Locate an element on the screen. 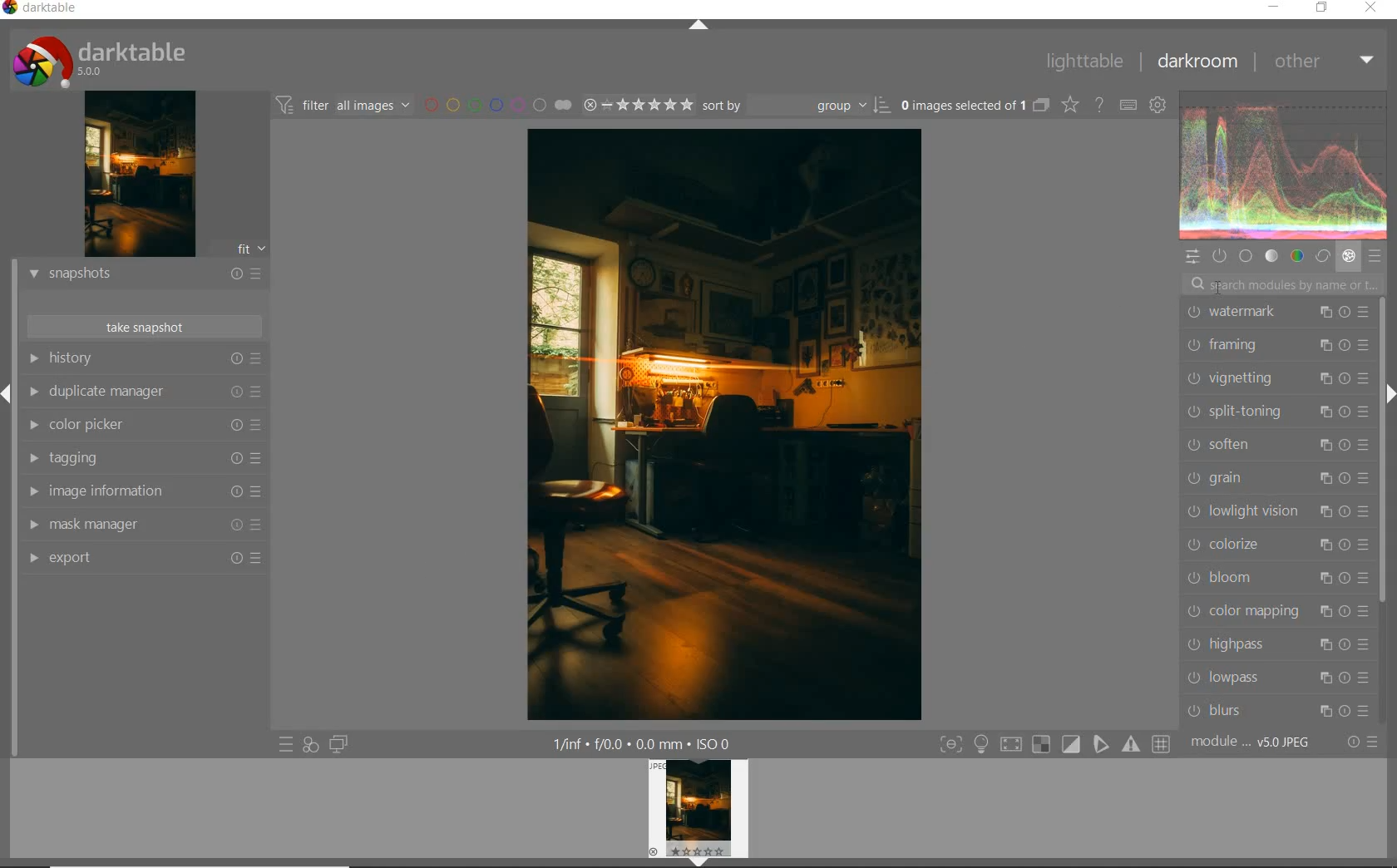 The width and height of the screenshot is (1397, 868). show only active modules is located at coordinates (1219, 255).